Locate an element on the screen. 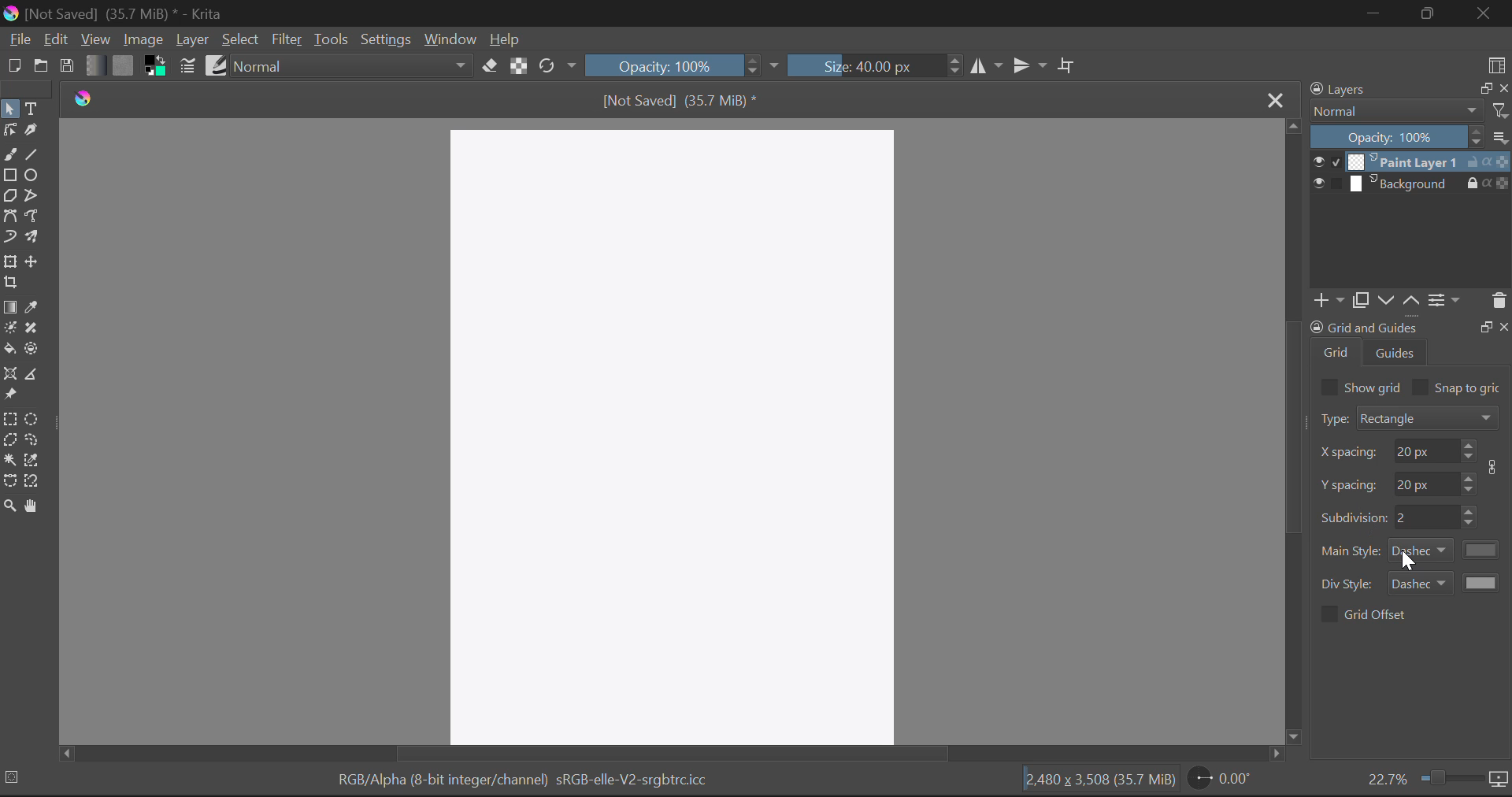  spacing x is located at coordinates (1424, 450).